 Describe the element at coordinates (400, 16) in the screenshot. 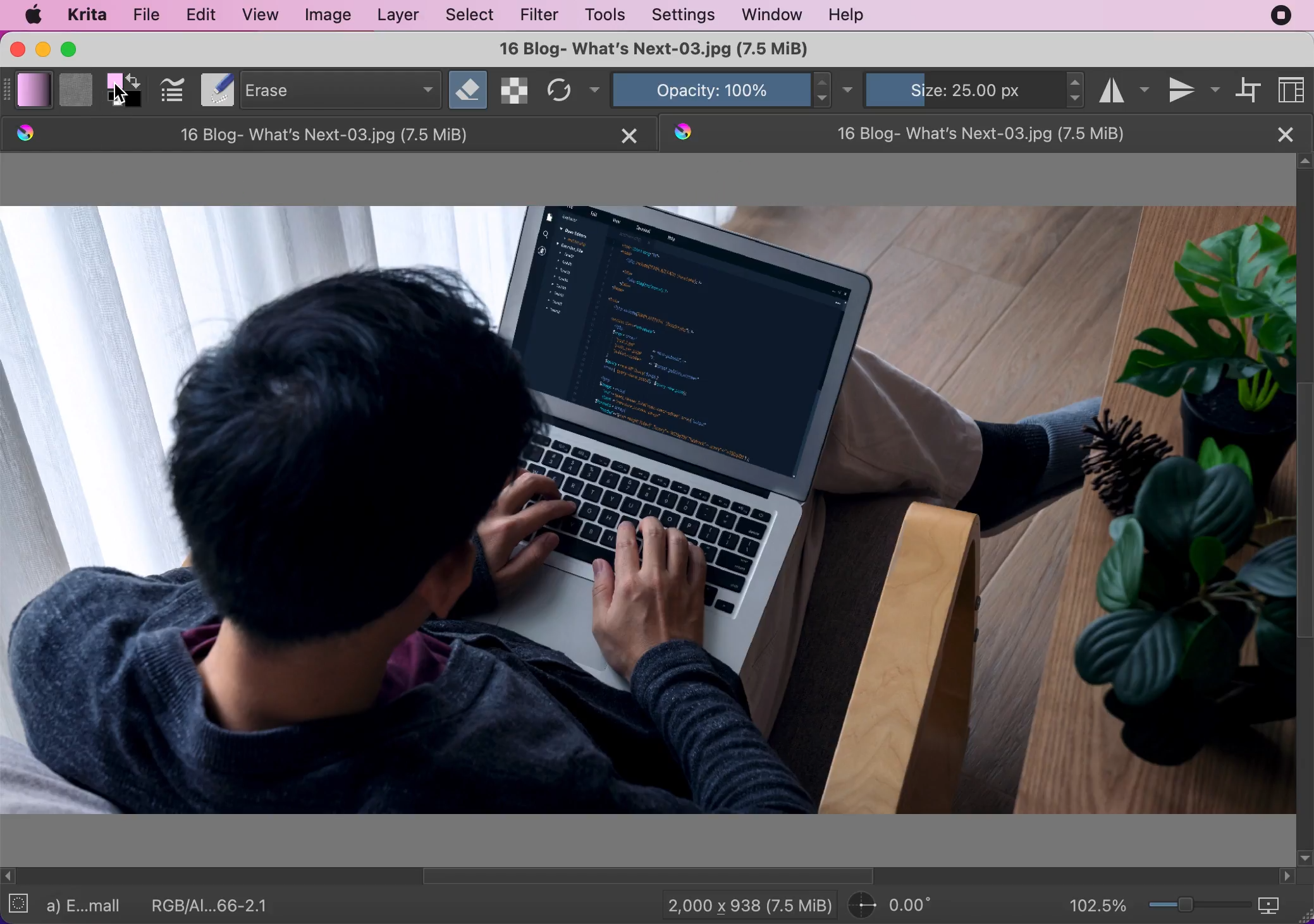

I see `layer` at that location.